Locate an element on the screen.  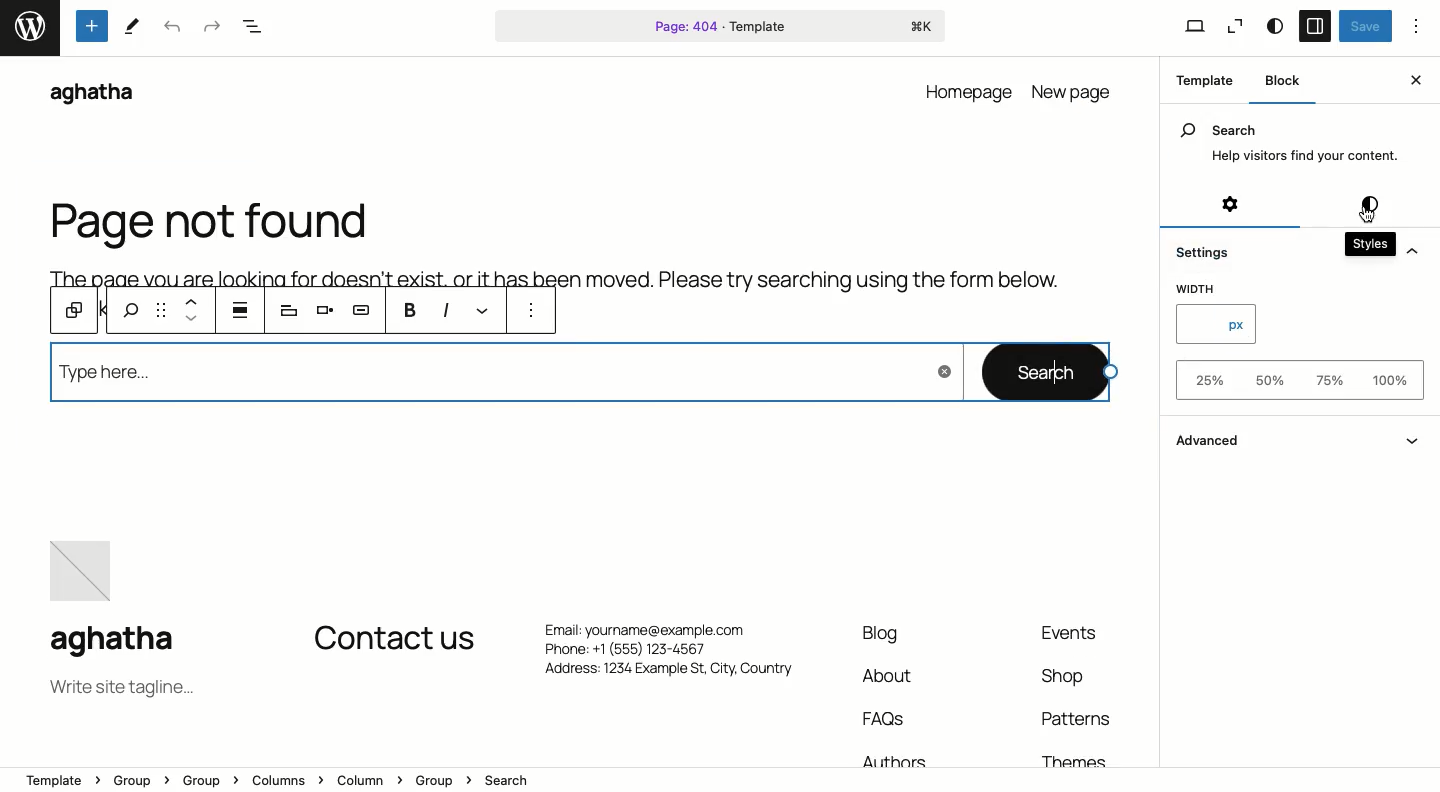
Shop is located at coordinates (1071, 677).